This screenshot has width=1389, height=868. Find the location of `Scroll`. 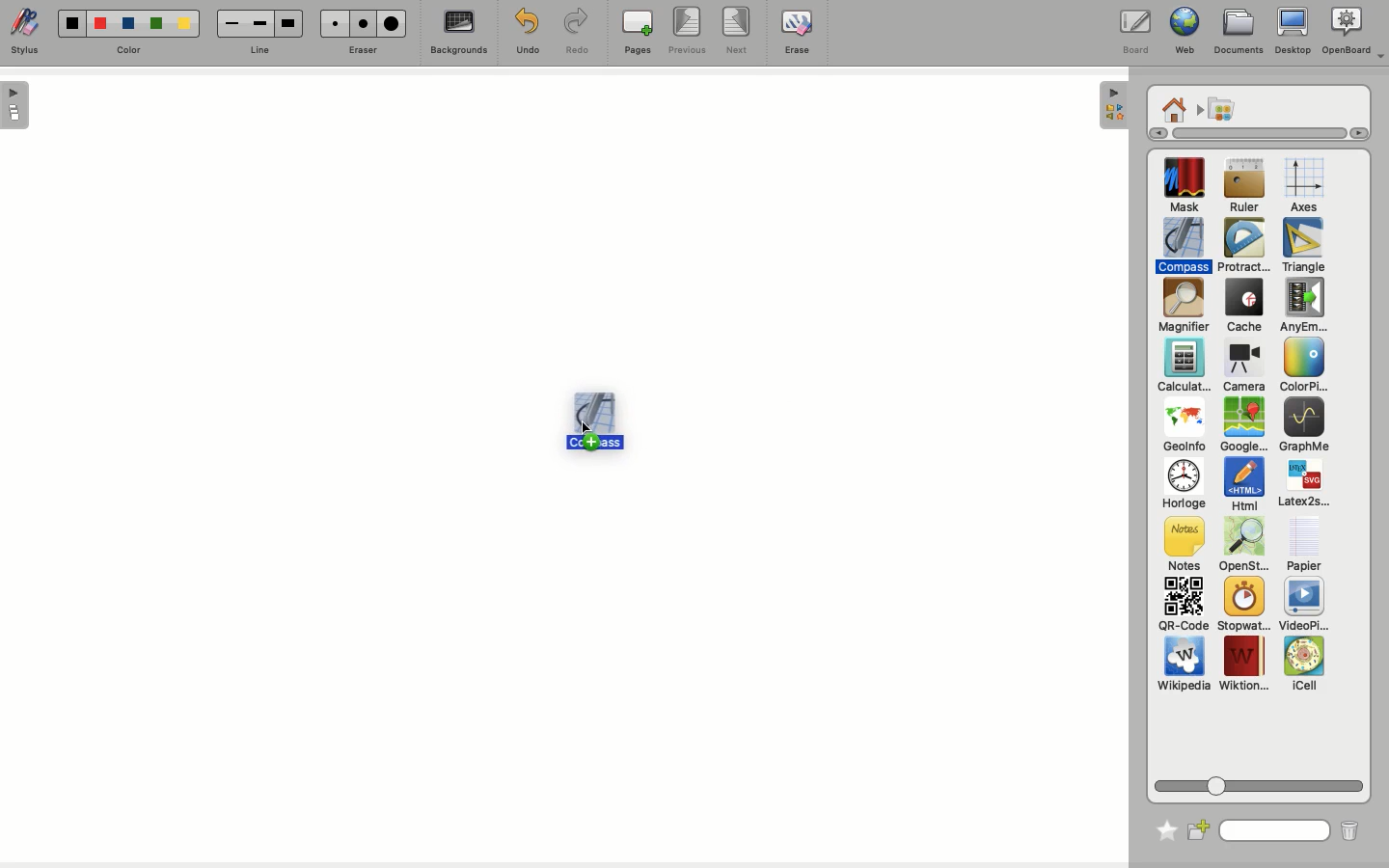

Scroll is located at coordinates (1250, 133).